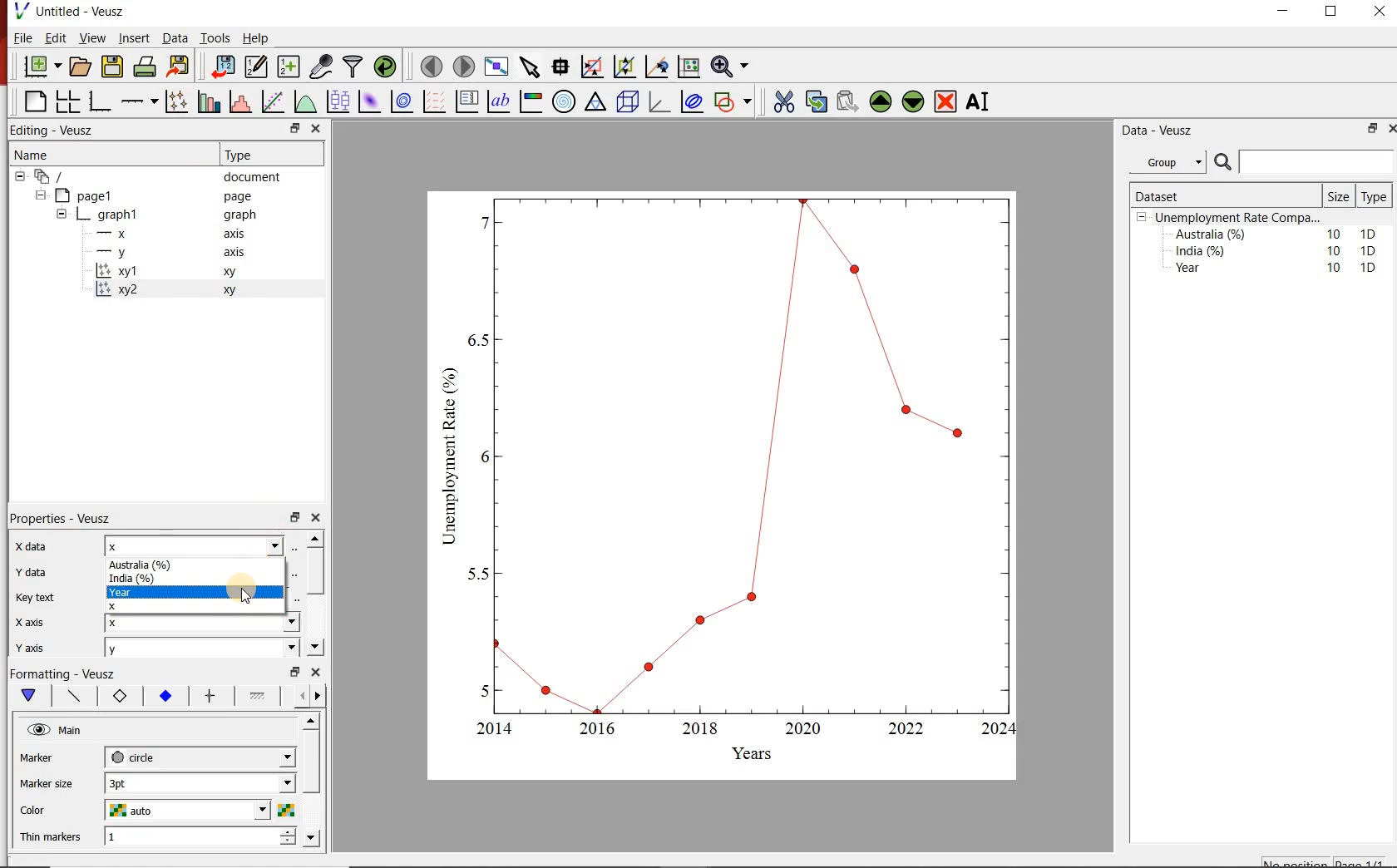 This screenshot has width=1397, height=868. What do you see at coordinates (198, 609) in the screenshot?
I see `X` at bounding box center [198, 609].